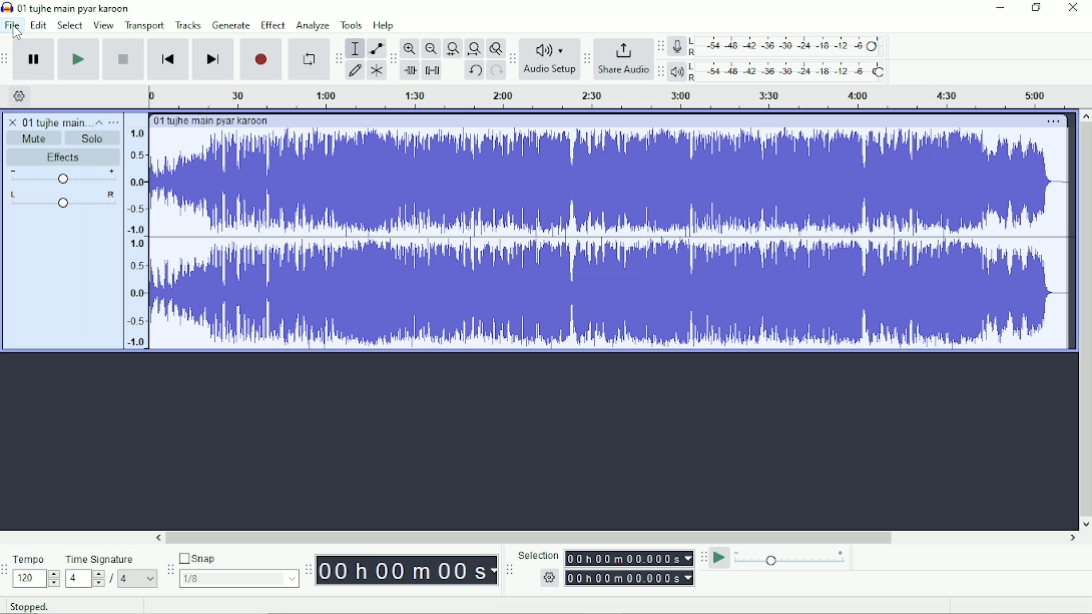 This screenshot has width=1092, height=614. What do you see at coordinates (604, 567) in the screenshot?
I see `Selection` at bounding box center [604, 567].